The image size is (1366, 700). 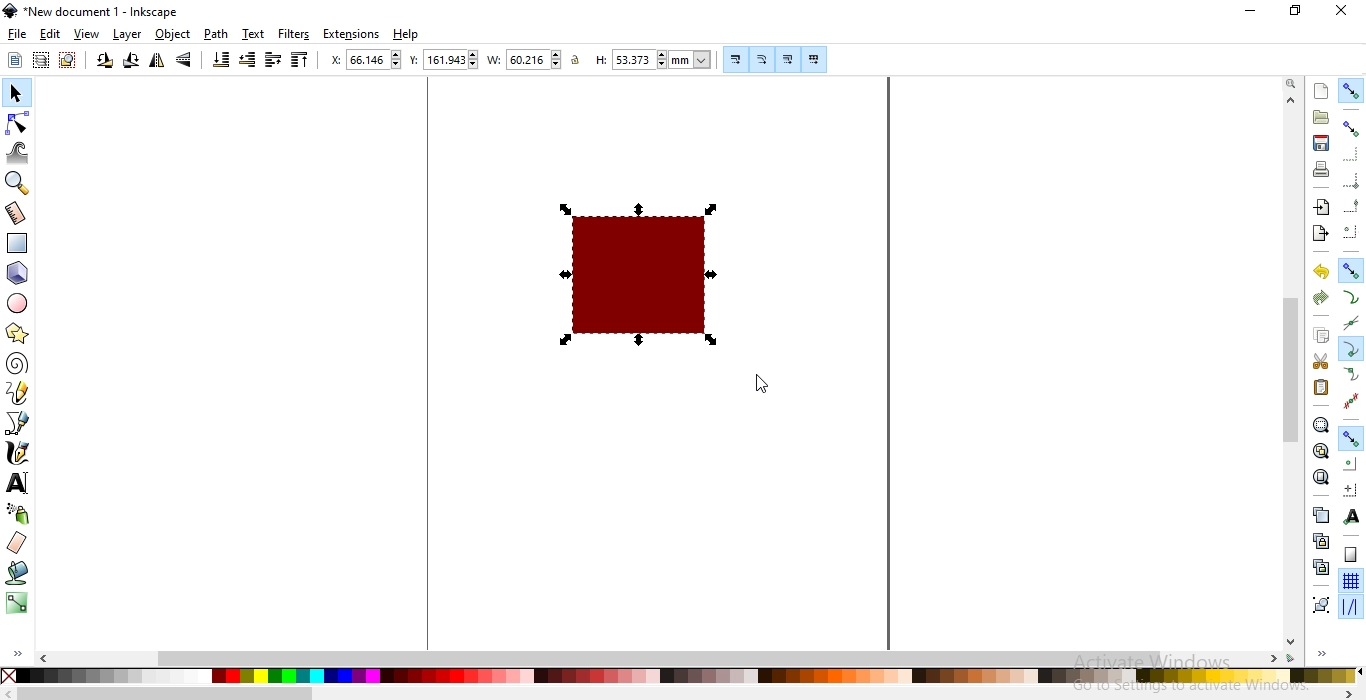 I want to click on snap to path intersections, so click(x=1350, y=324).